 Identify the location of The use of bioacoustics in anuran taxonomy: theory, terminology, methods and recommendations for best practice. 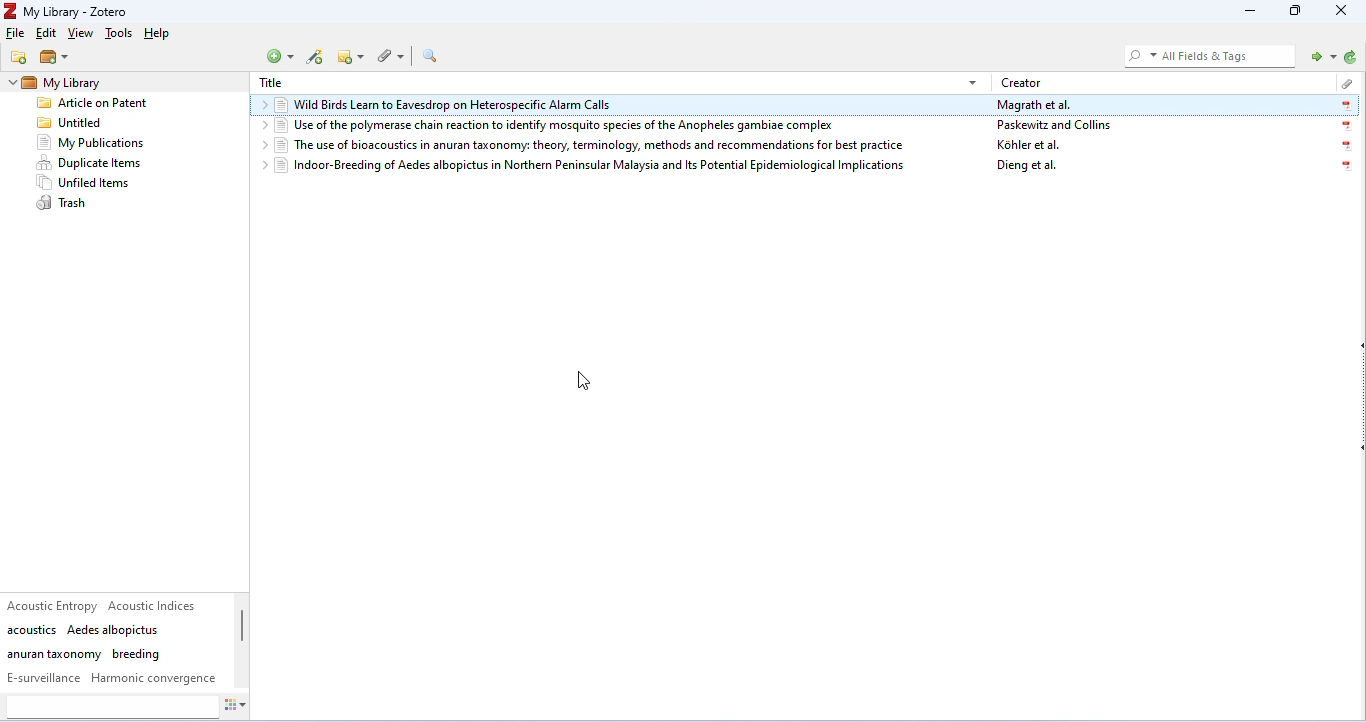
(594, 144).